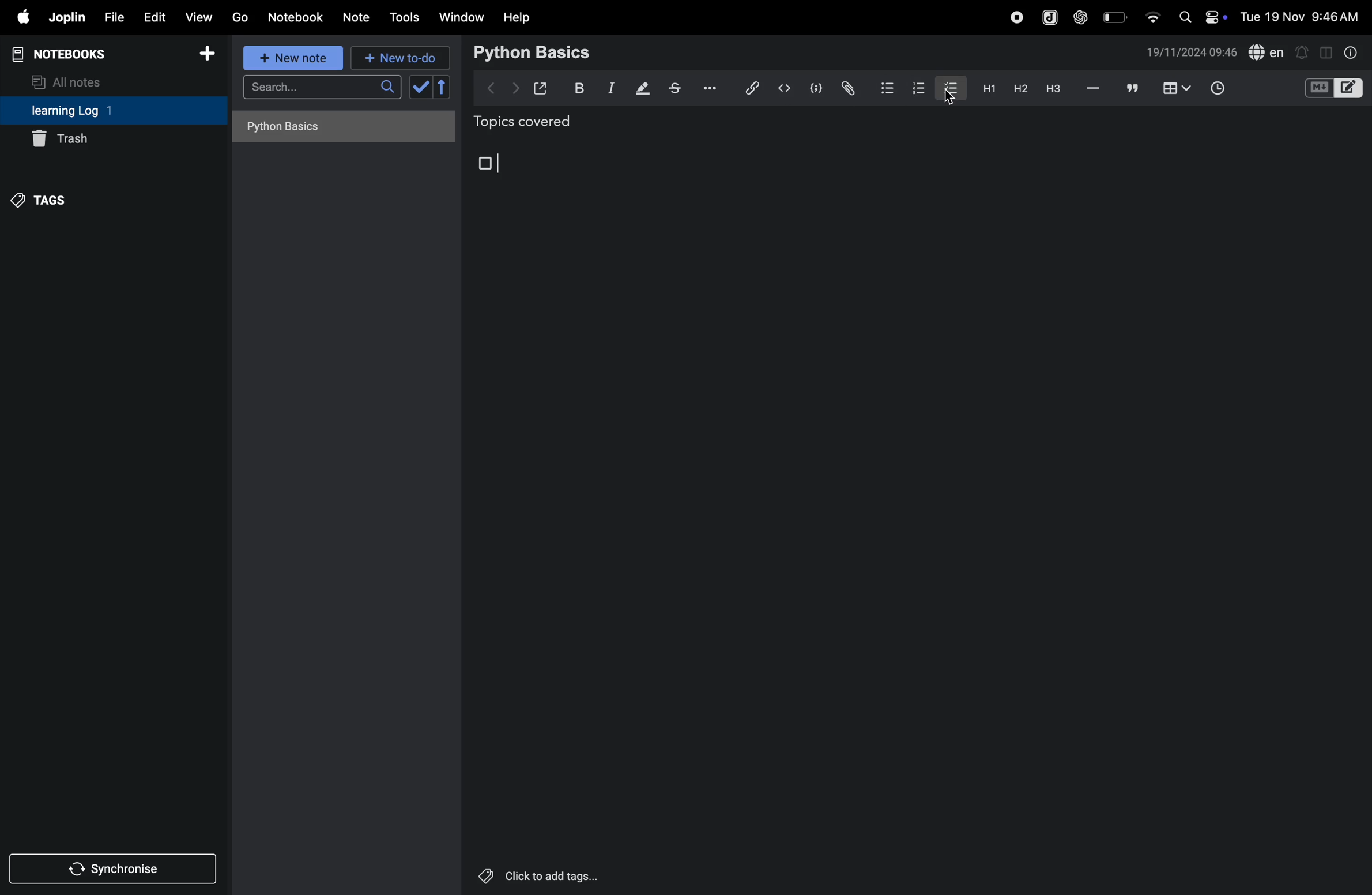  Describe the element at coordinates (73, 81) in the screenshot. I see `all notes` at that location.